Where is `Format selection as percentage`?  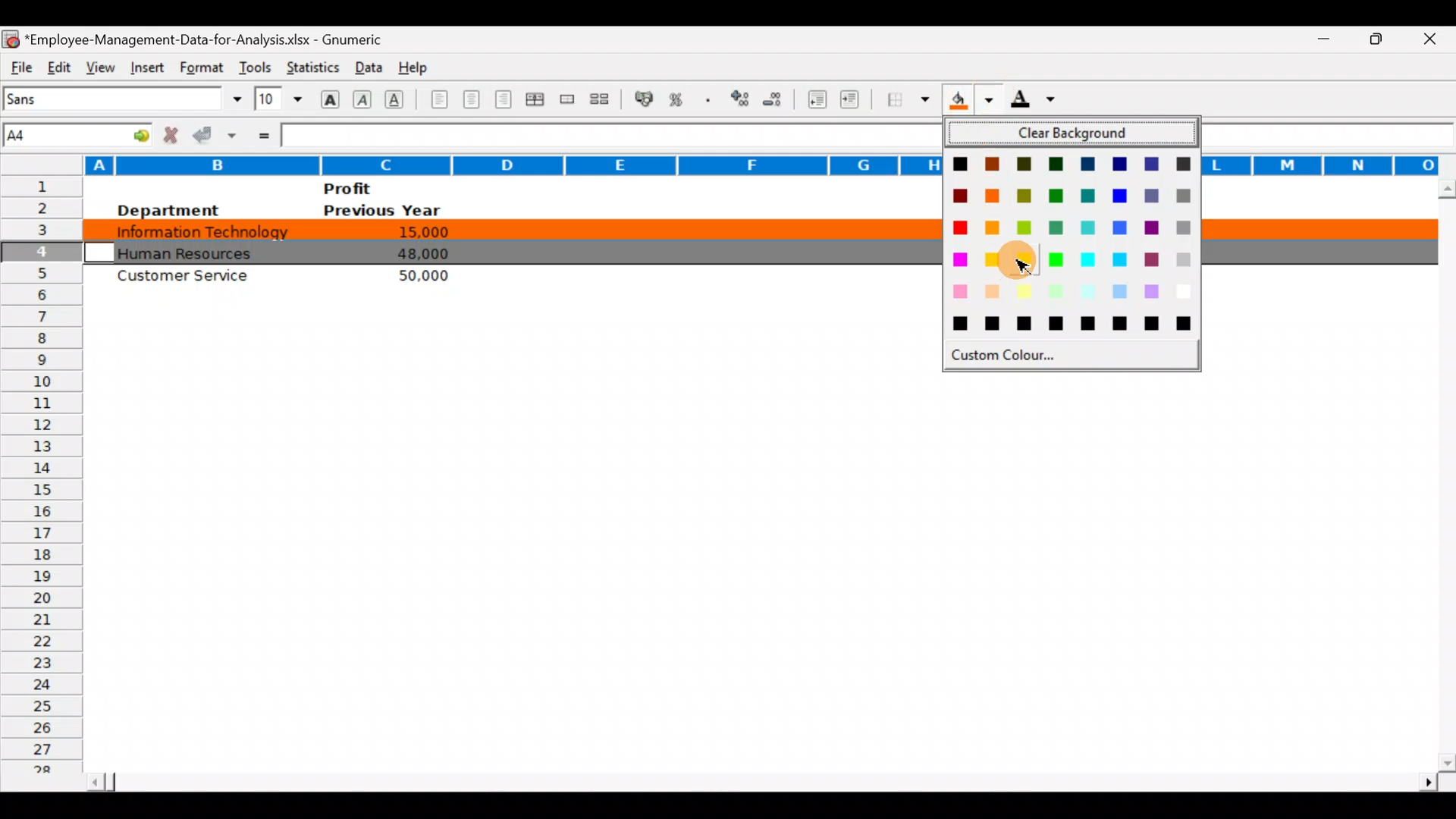 Format selection as percentage is located at coordinates (681, 99).